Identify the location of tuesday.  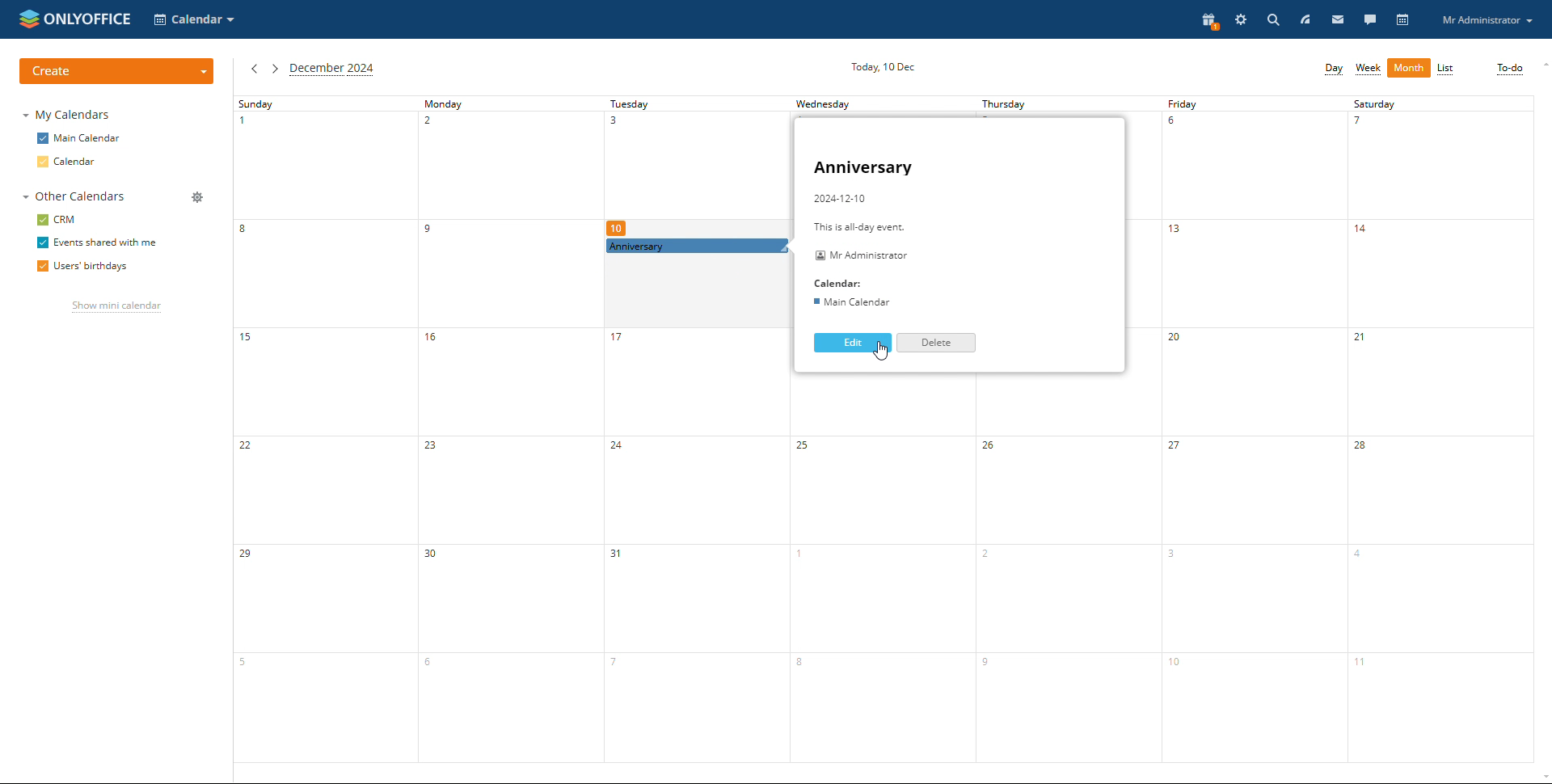
(698, 508).